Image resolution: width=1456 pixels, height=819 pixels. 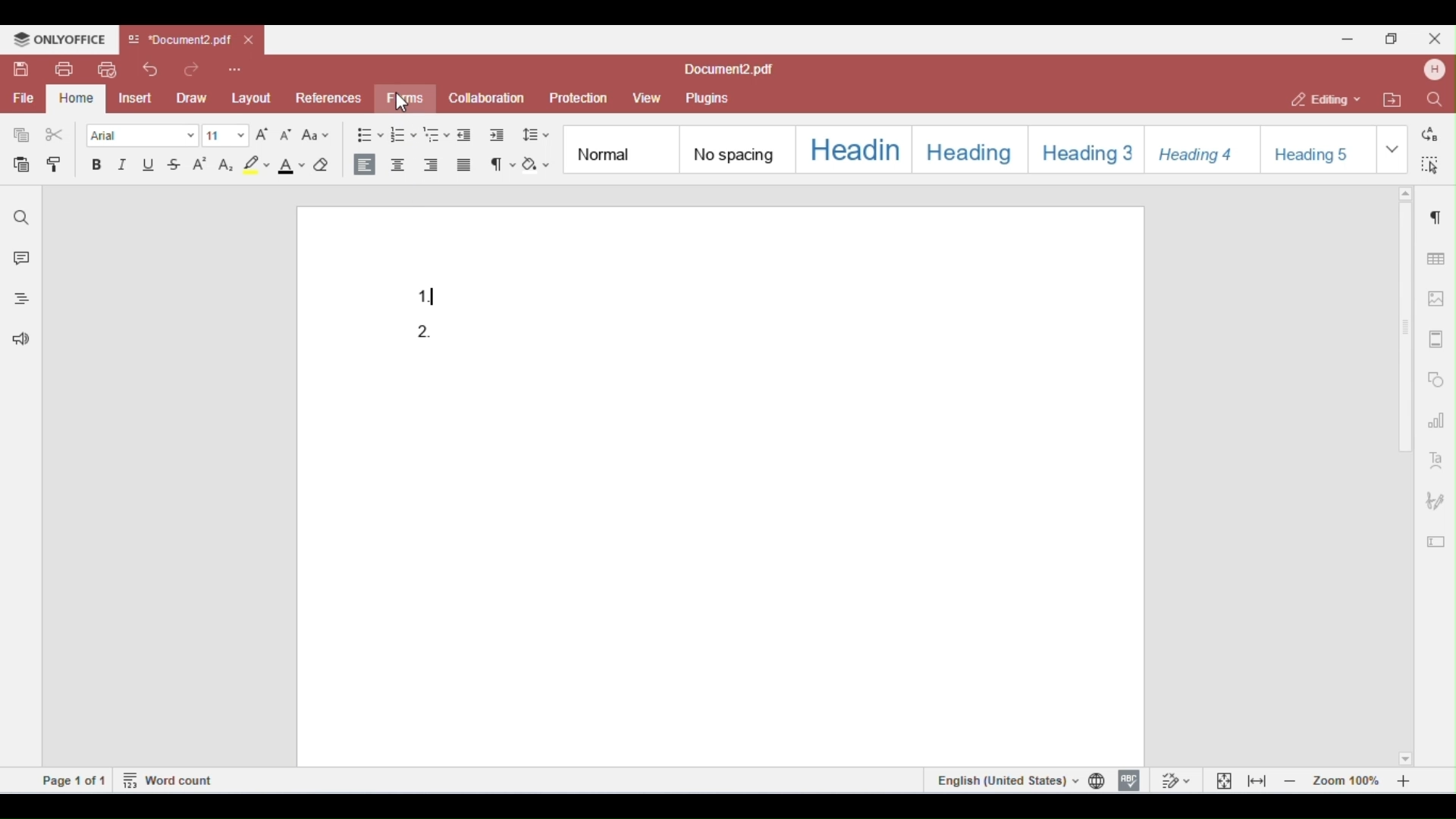 What do you see at coordinates (1129, 779) in the screenshot?
I see `spelling` at bounding box center [1129, 779].